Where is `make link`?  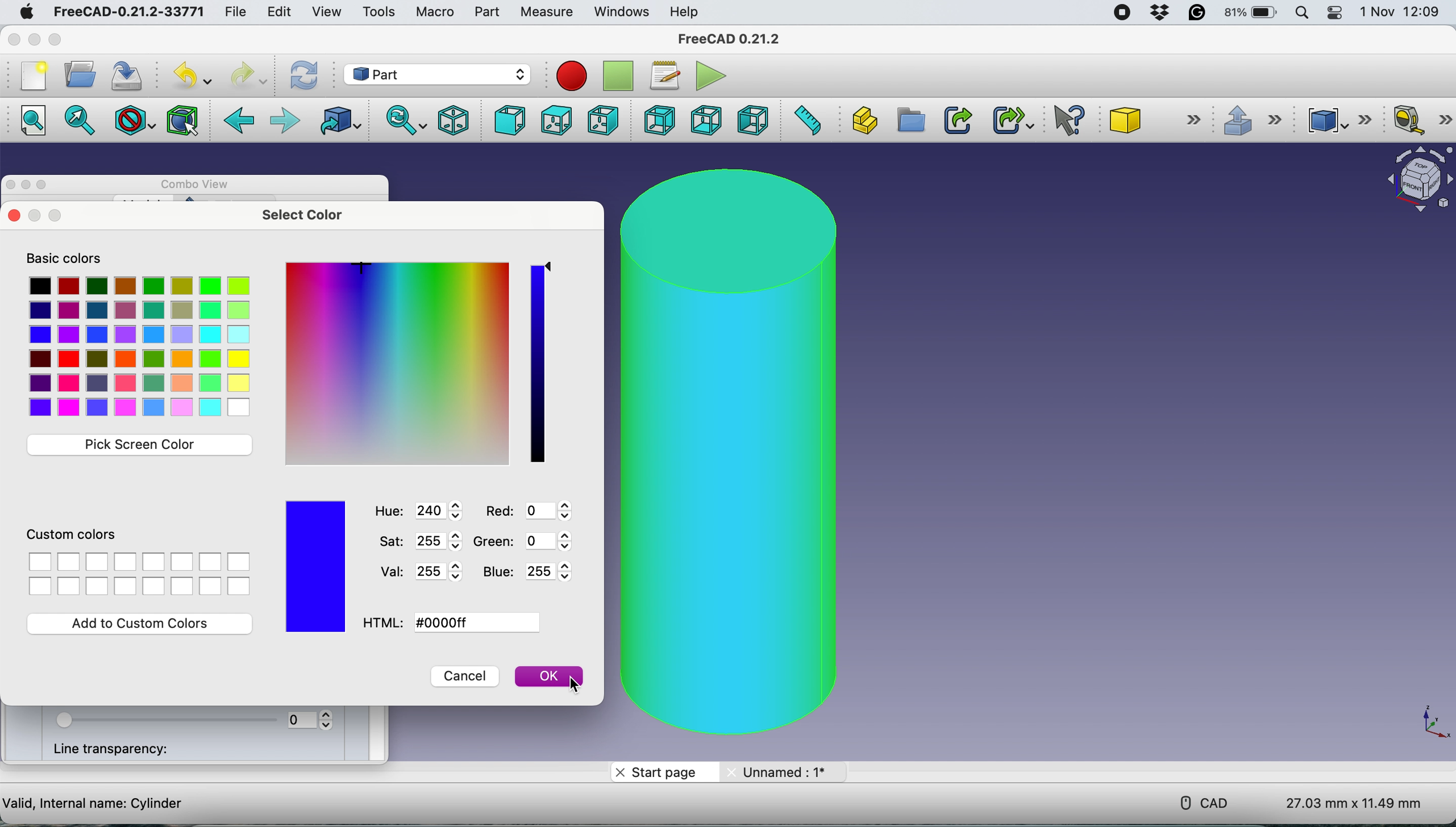
make link is located at coordinates (958, 122).